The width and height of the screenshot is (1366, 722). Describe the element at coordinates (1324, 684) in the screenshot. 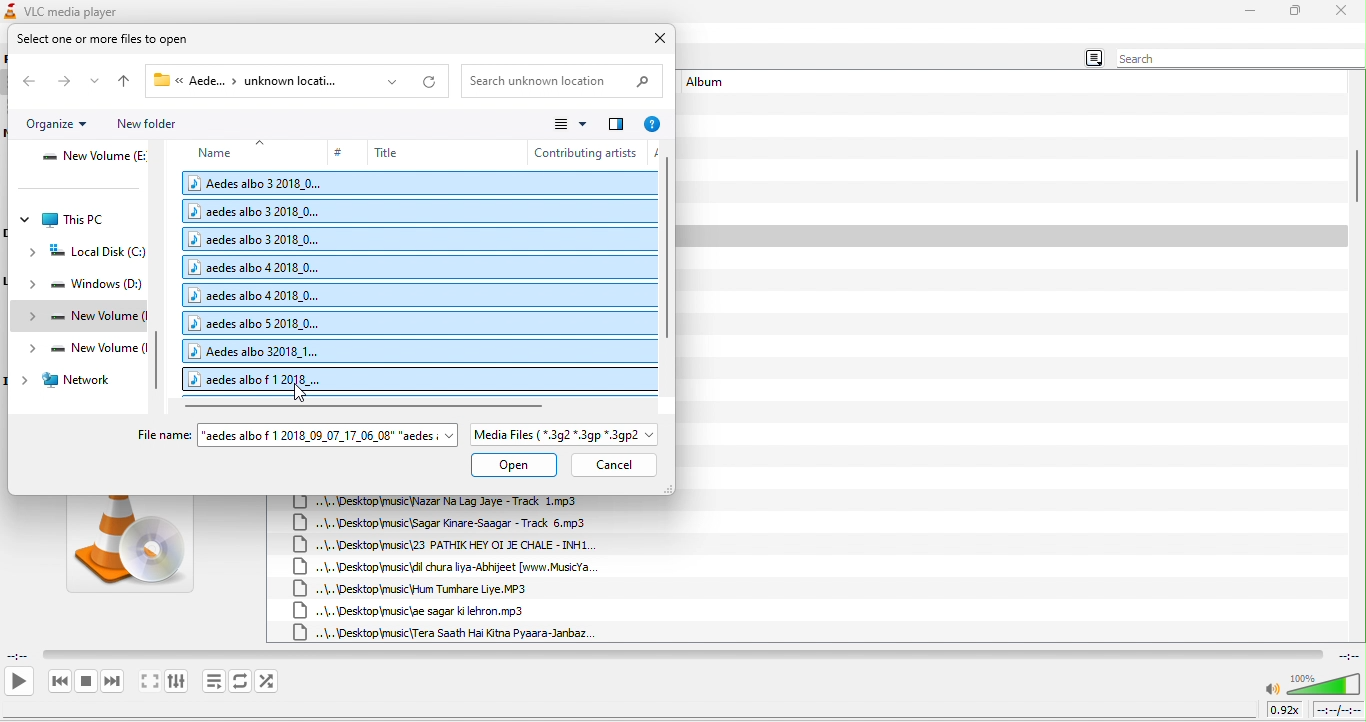

I see `volume` at that location.